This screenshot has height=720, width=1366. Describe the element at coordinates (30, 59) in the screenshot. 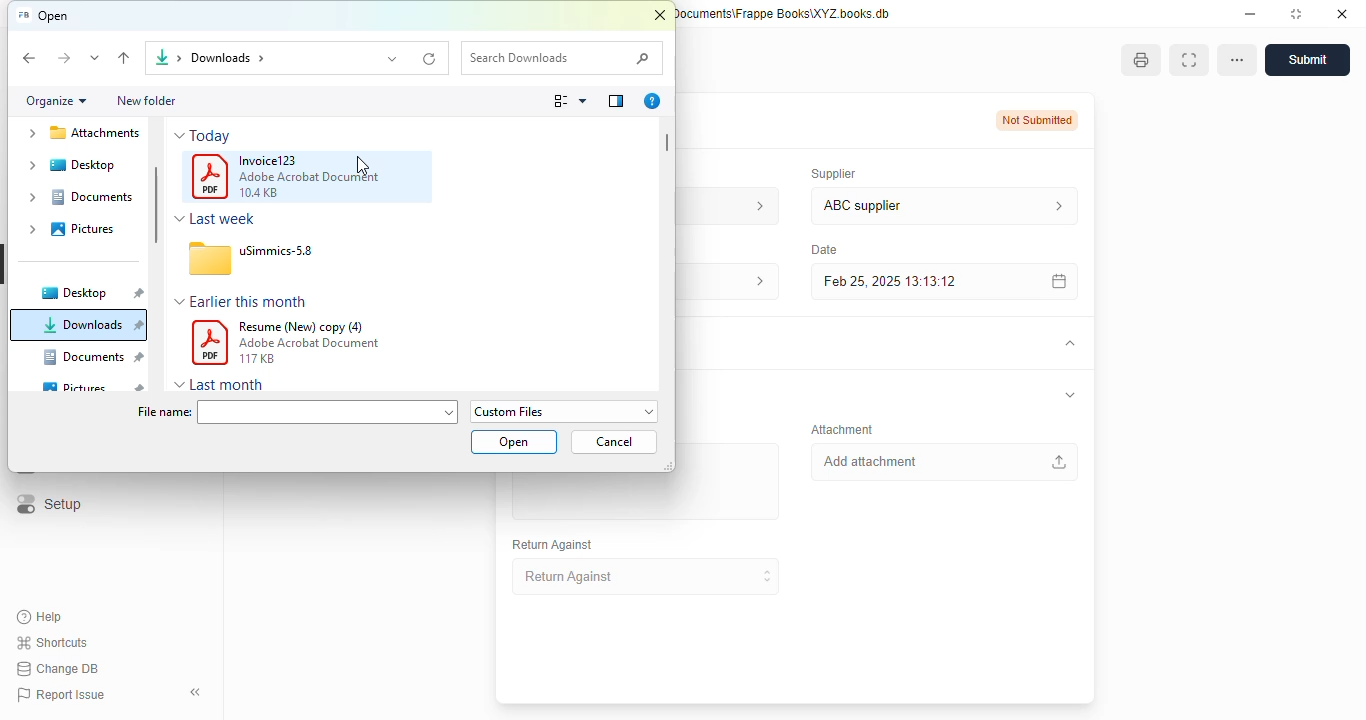

I see `back` at that location.